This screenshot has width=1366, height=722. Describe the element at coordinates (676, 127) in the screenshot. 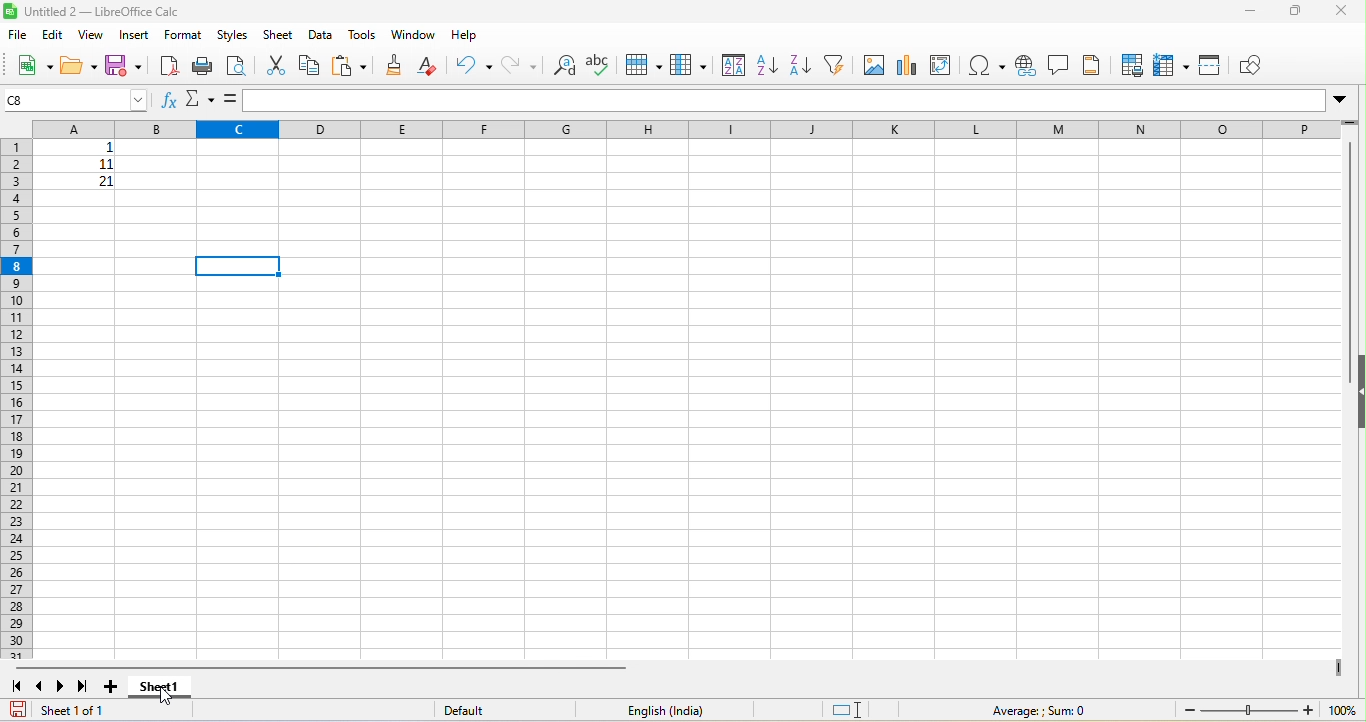

I see `column headings` at that location.